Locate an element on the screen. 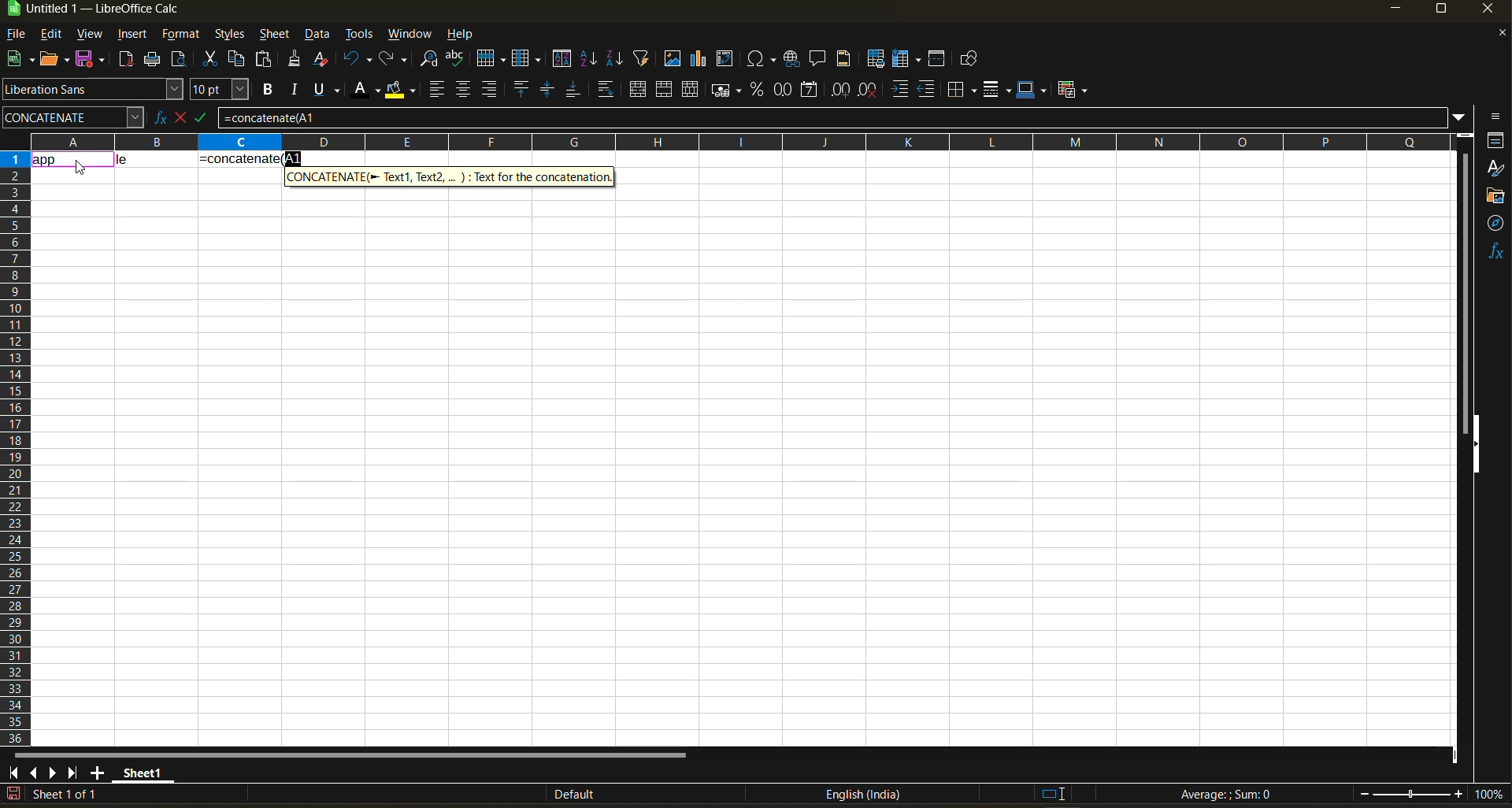 The image size is (1512, 808). align top is located at coordinates (519, 89).